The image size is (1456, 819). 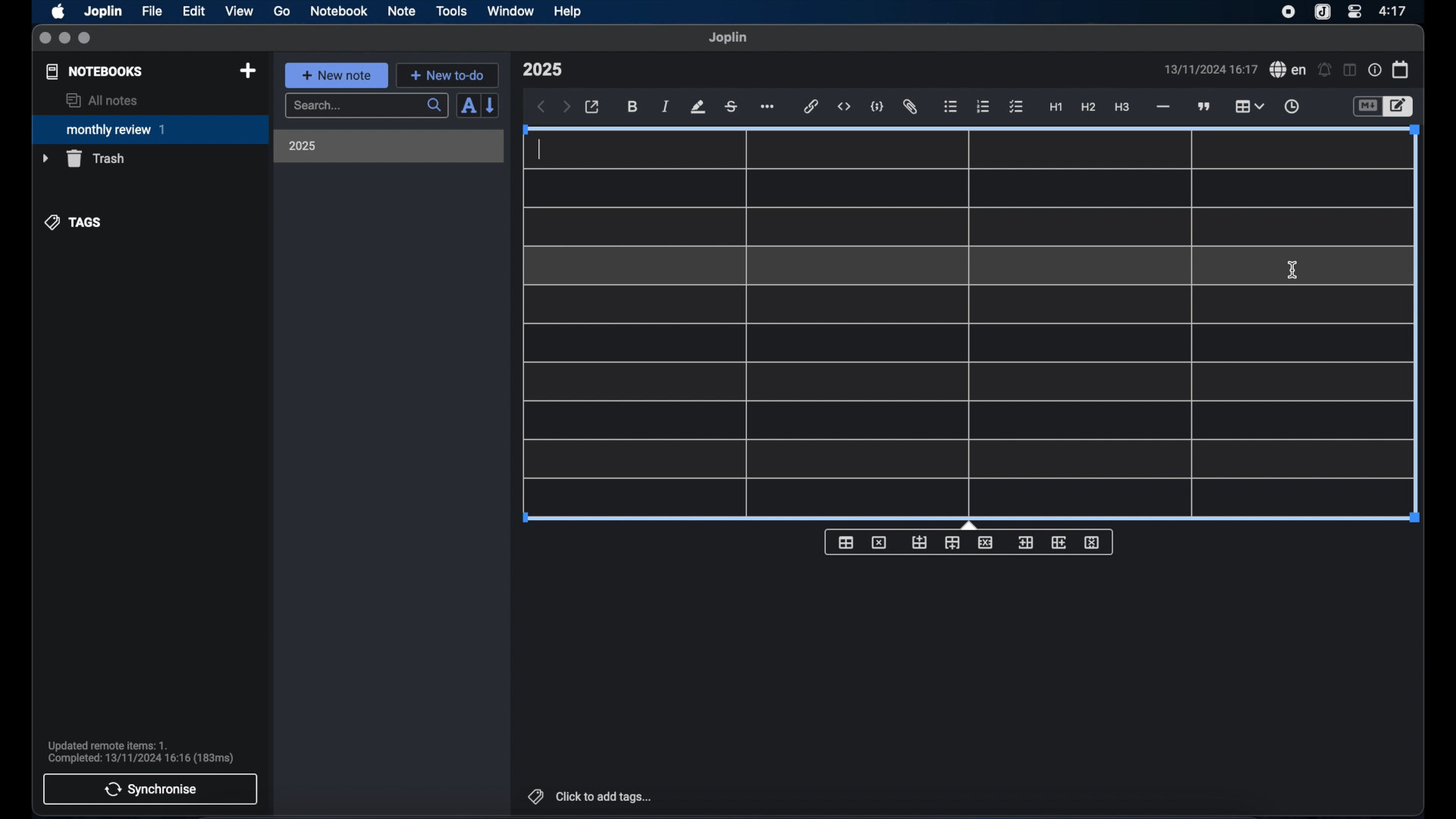 I want to click on forward, so click(x=566, y=108).